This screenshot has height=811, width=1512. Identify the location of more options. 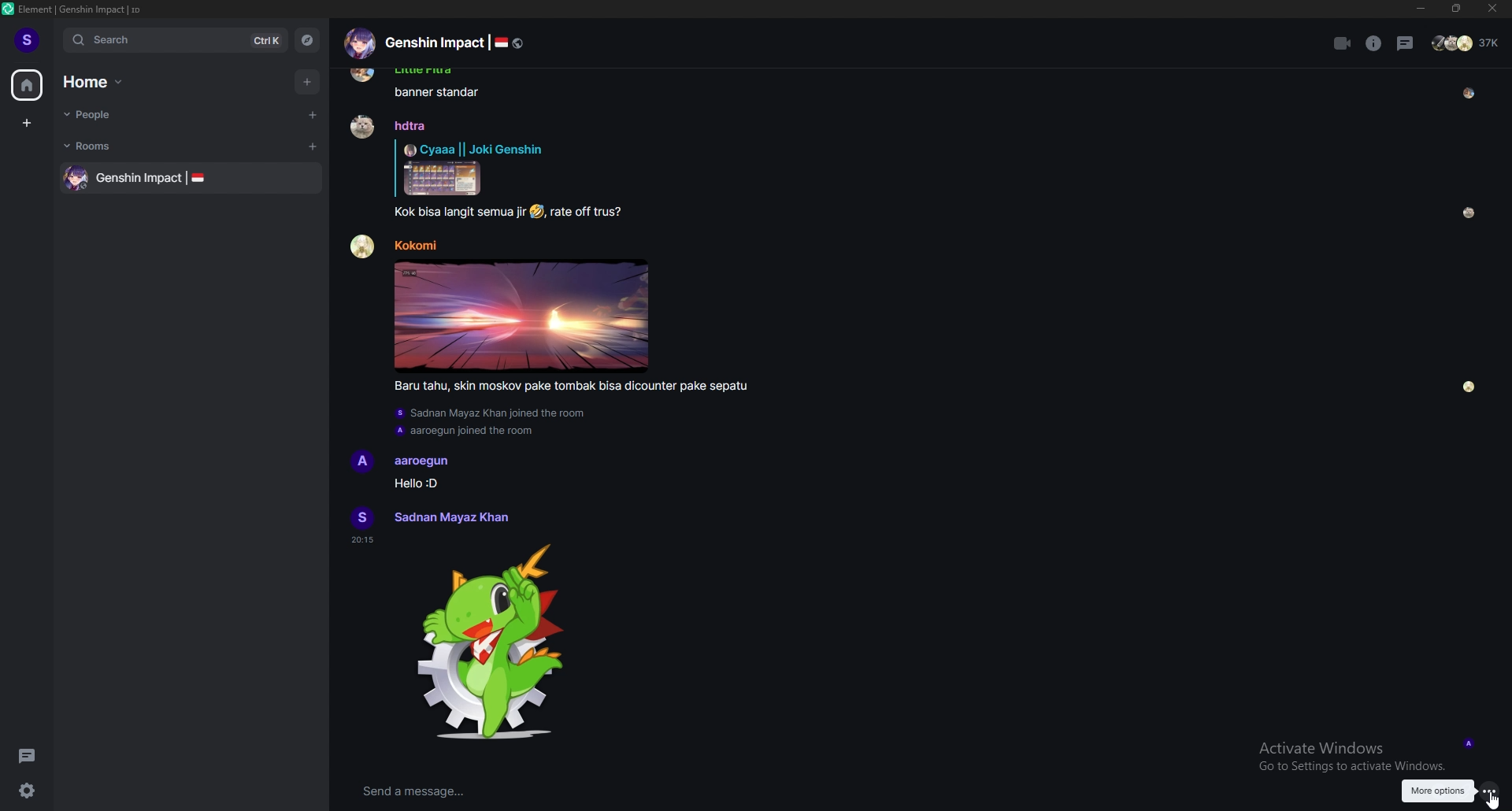
(1489, 791).